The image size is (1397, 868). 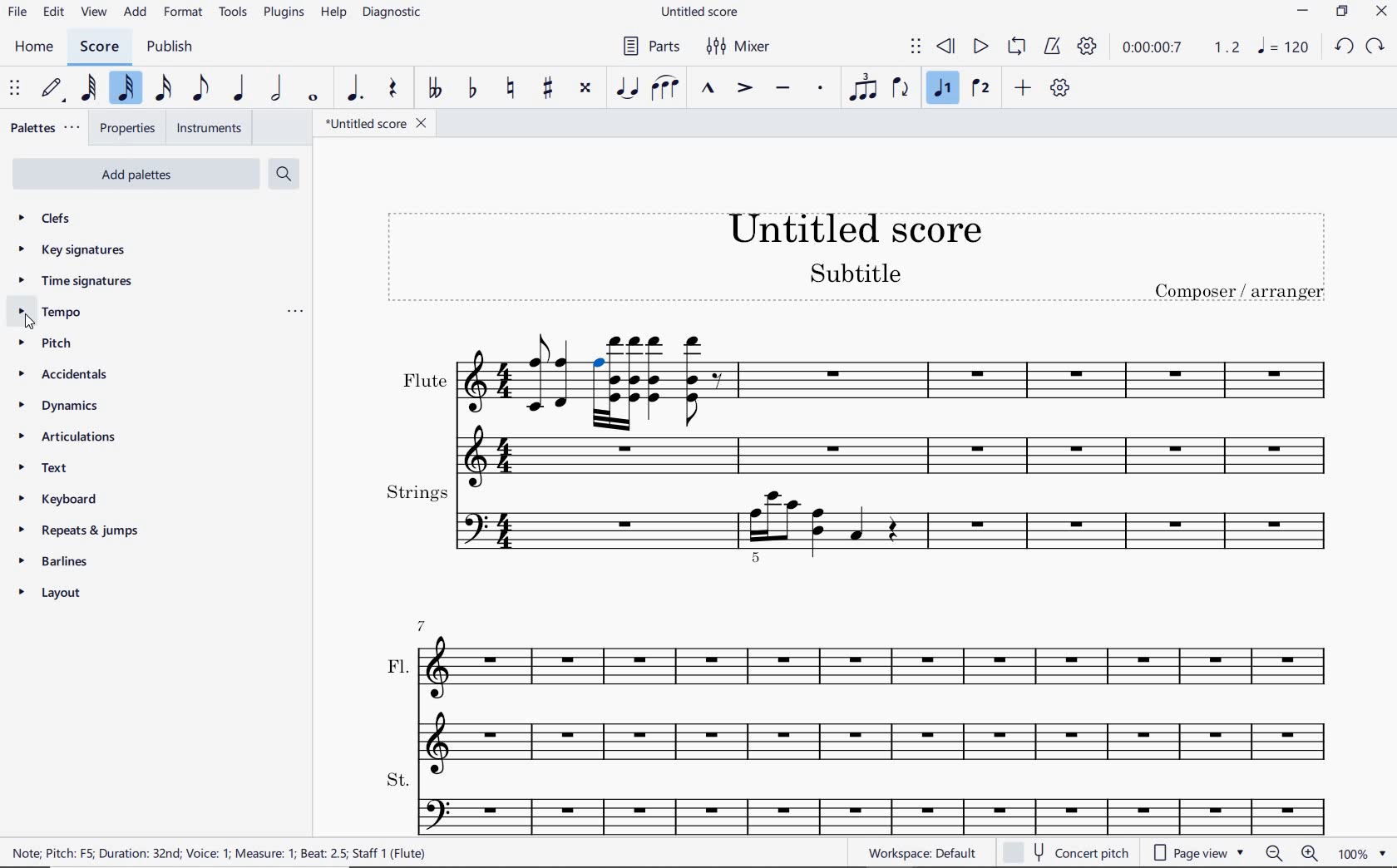 I want to click on pitch, so click(x=74, y=341).